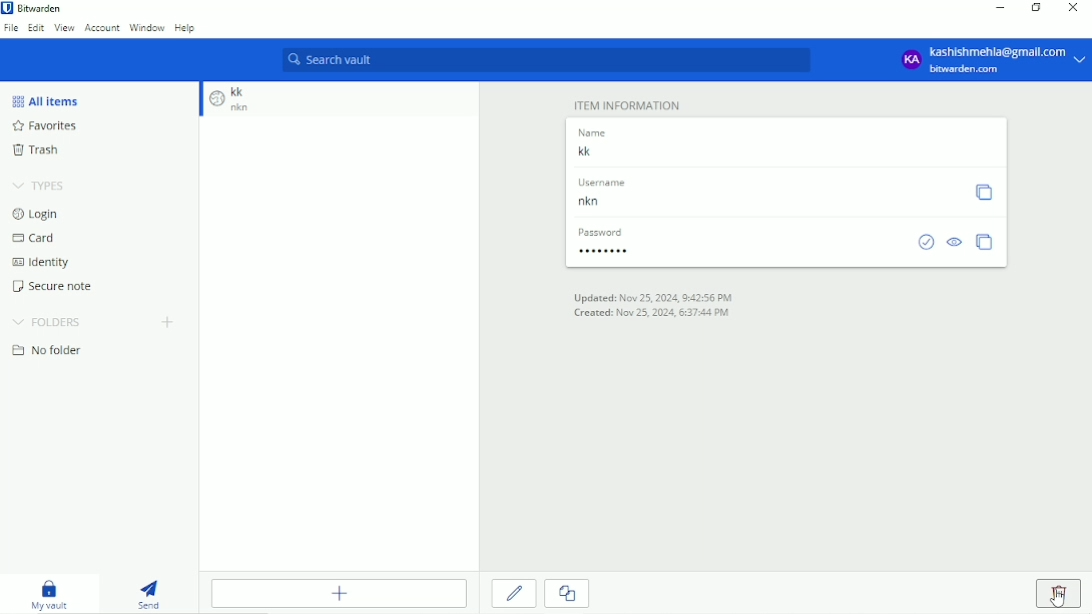 The image size is (1092, 614). I want to click on Types, so click(42, 186).